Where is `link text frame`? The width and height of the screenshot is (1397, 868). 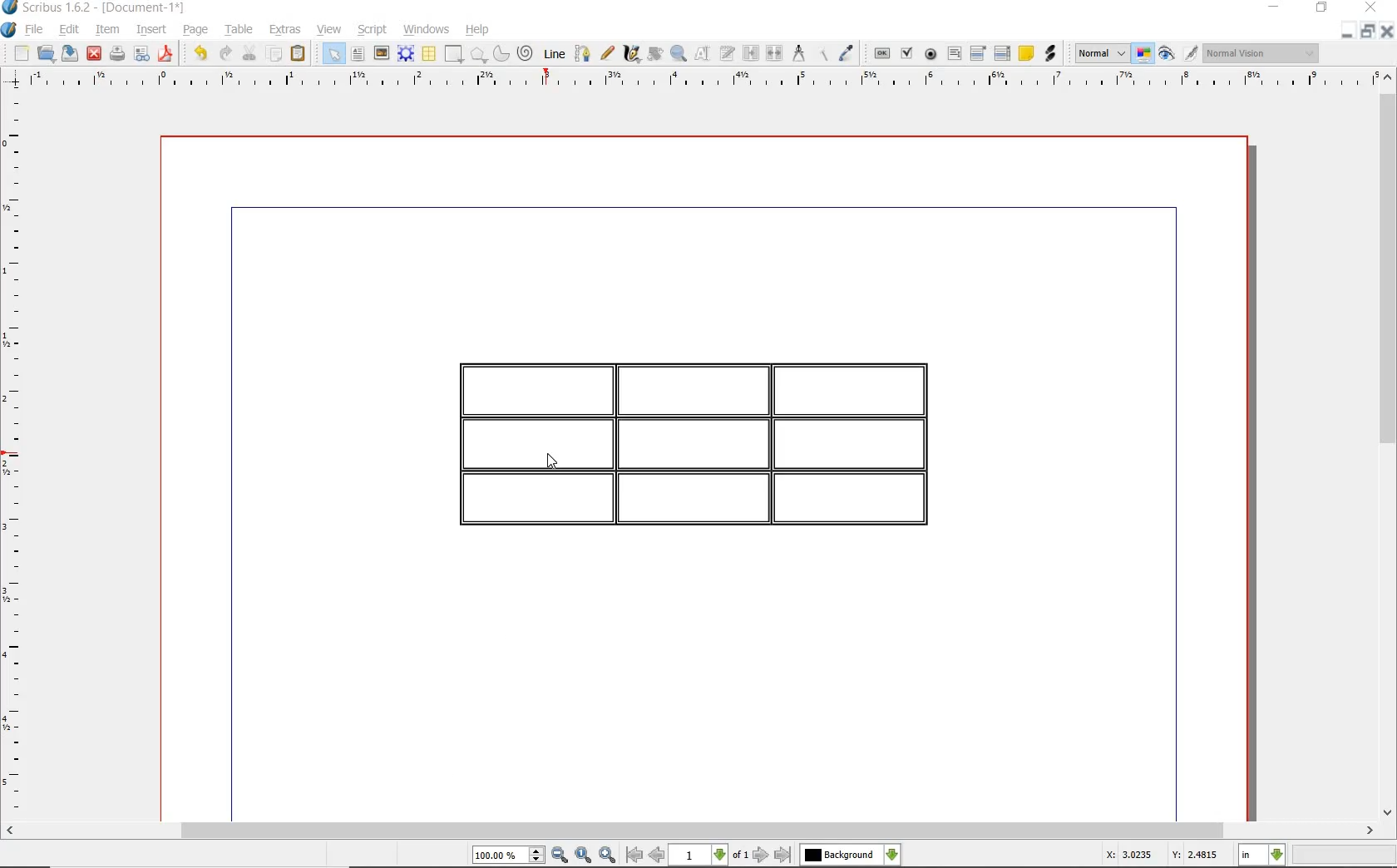
link text frame is located at coordinates (750, 53).